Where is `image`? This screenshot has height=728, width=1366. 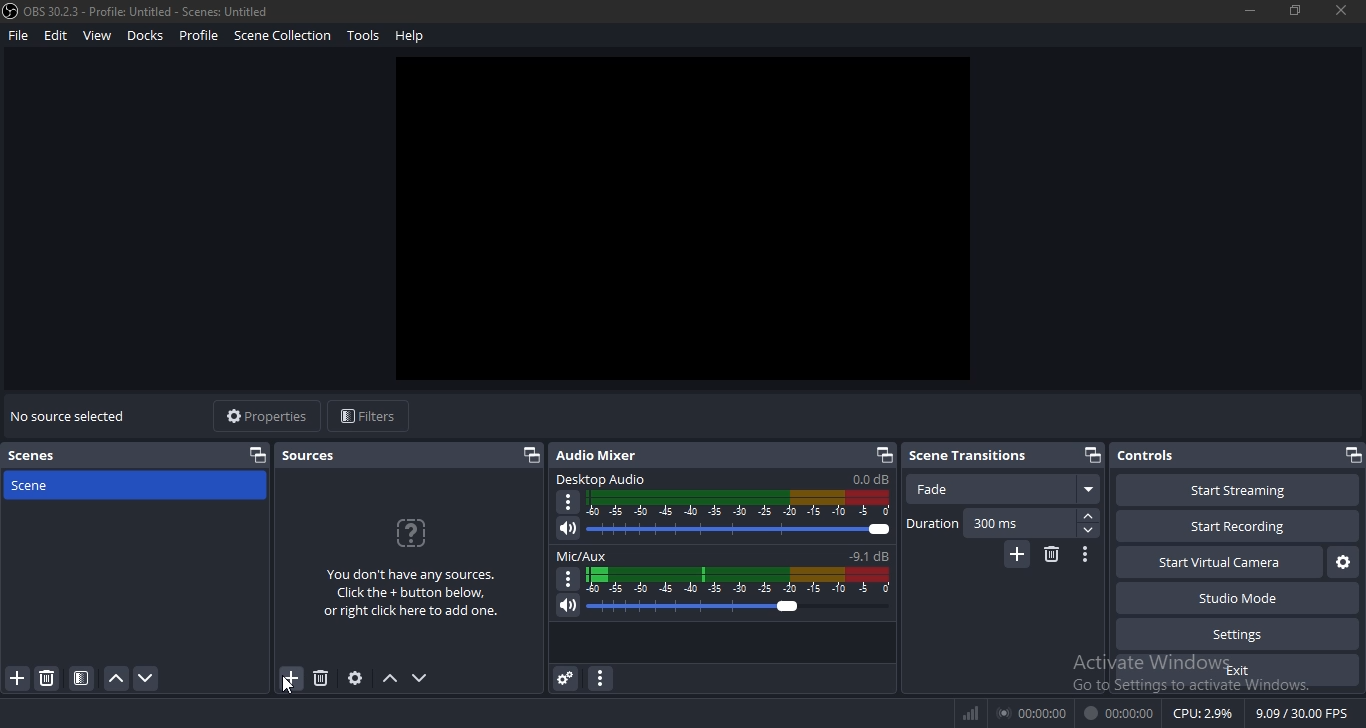
image is located at coordinates (682, 219).